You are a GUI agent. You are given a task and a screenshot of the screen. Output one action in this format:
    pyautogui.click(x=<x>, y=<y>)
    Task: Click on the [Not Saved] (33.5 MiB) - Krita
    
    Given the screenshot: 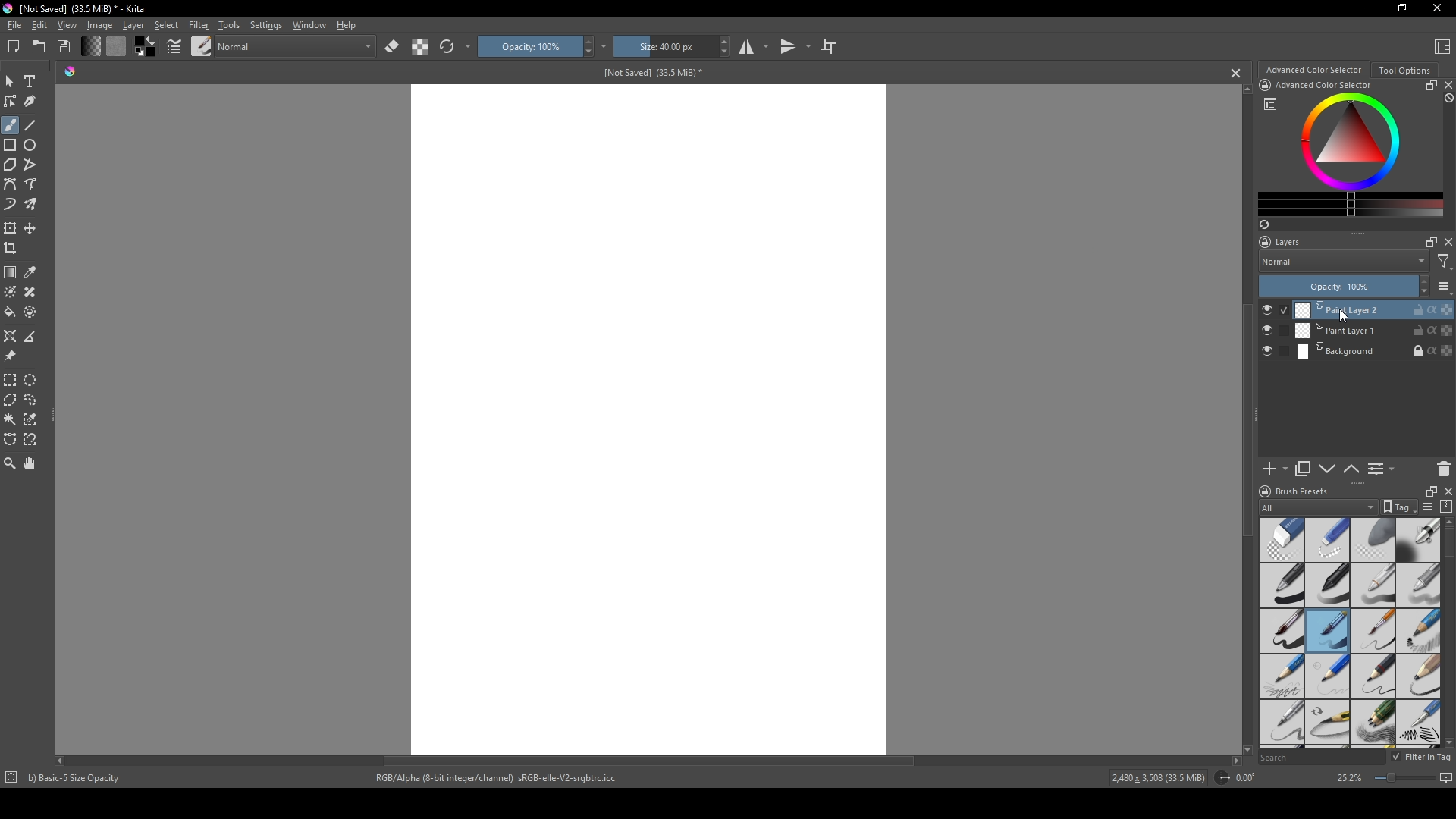 What is the action you would take?
    pyautogui.click(x=83, y=9)
    